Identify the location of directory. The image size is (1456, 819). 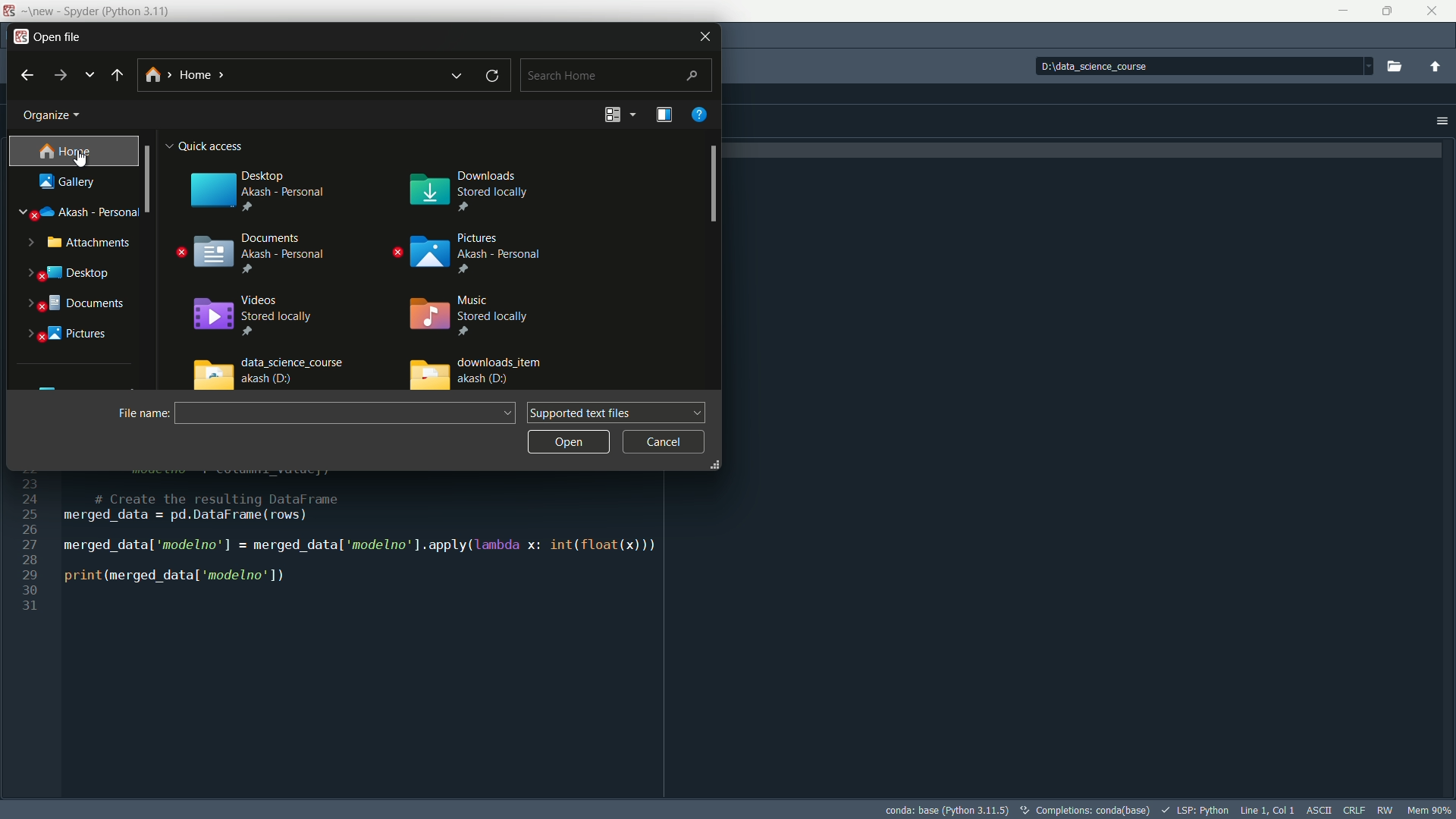
(1130, 65).